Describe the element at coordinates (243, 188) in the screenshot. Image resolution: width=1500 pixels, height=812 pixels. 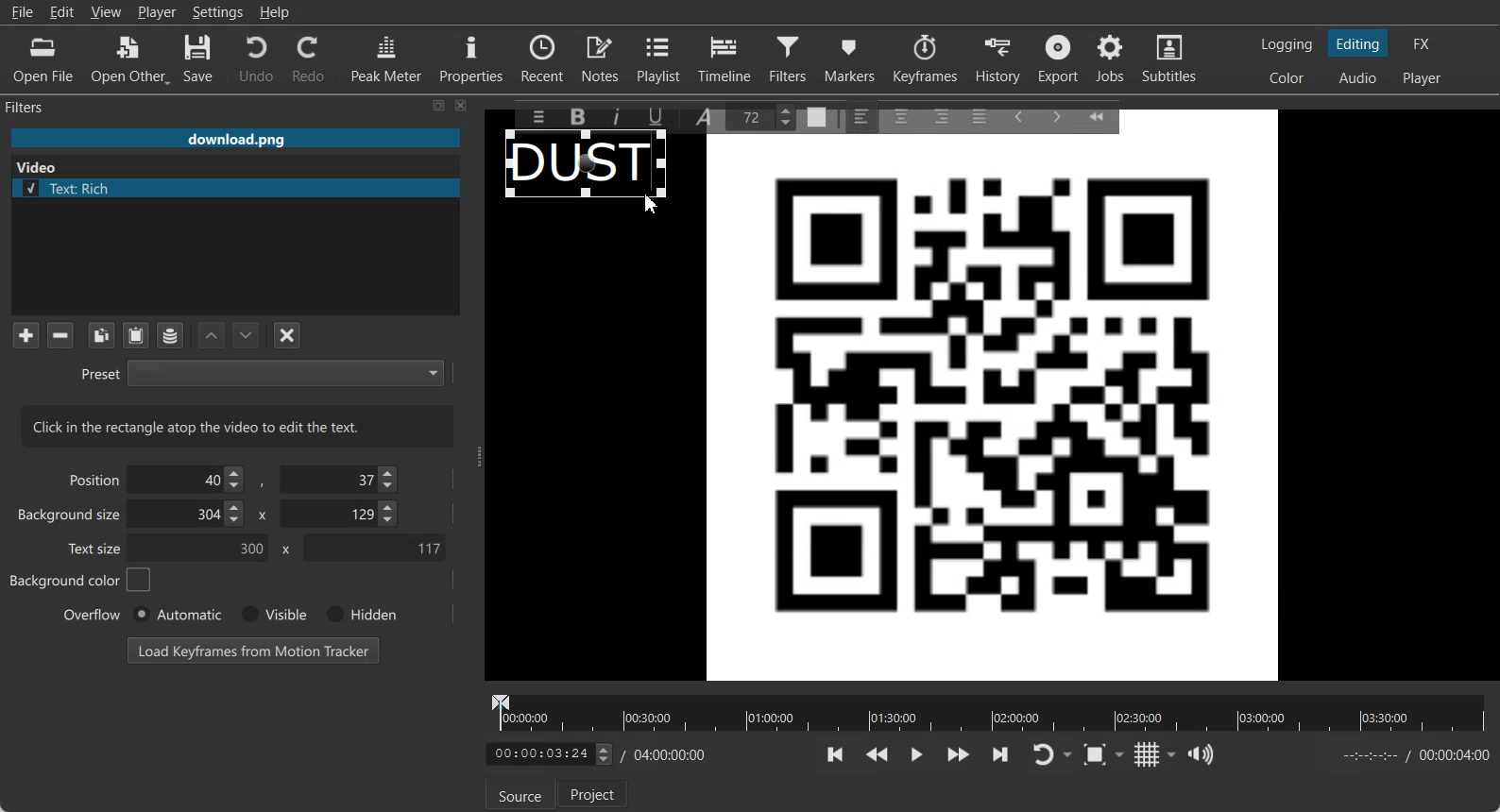
I see `Text rich file` at that location.